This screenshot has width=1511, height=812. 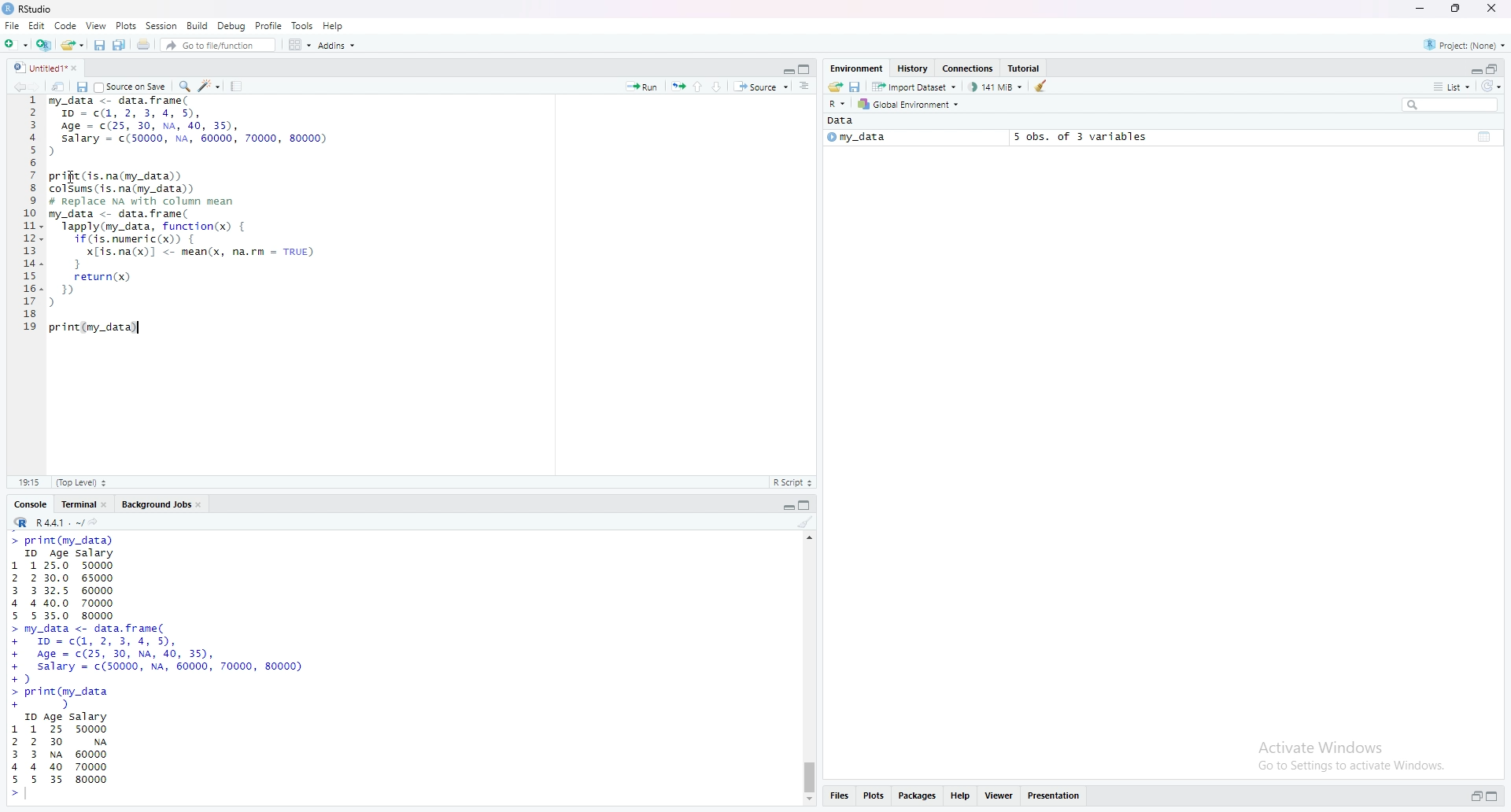 What do you see at coordinates (809, 669) in the screenshot?
I see `scrollbar` at bounding box center [809, 669].